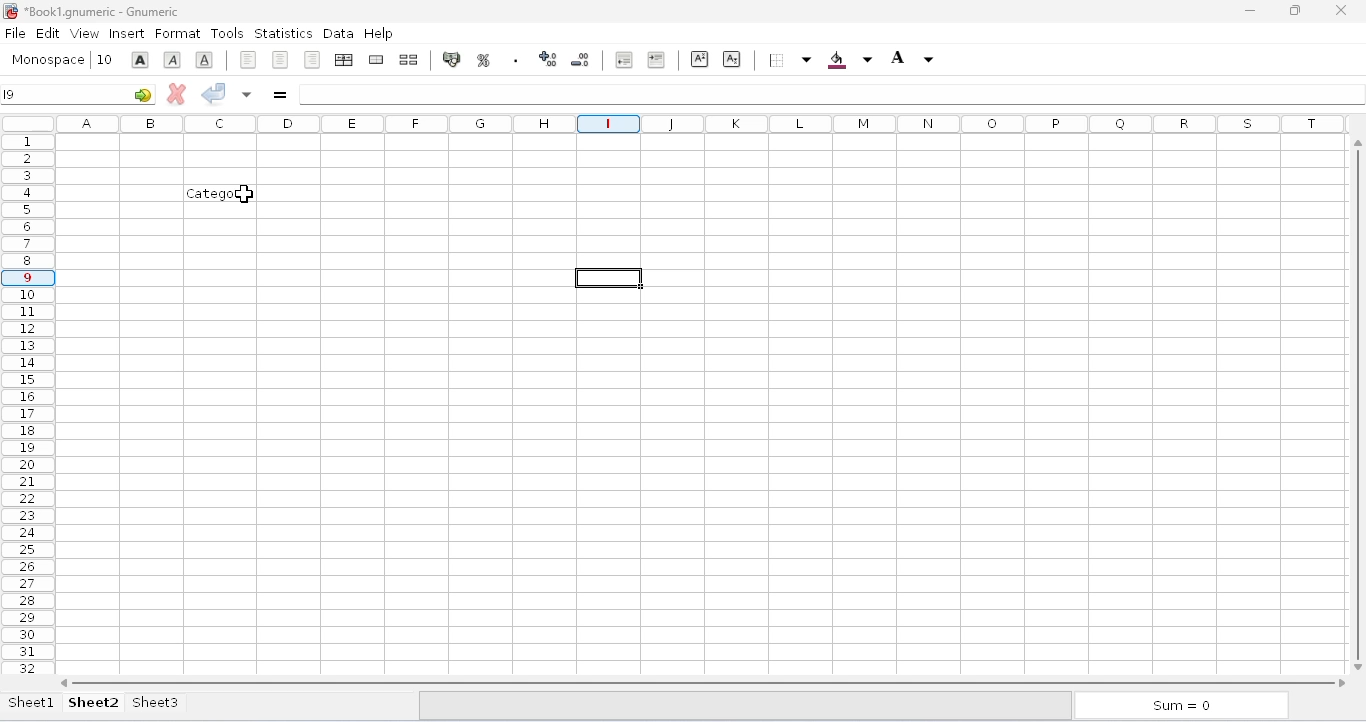 This screenshot has height=722, width=1366. I want to click on enter formula, so click(280, 95).